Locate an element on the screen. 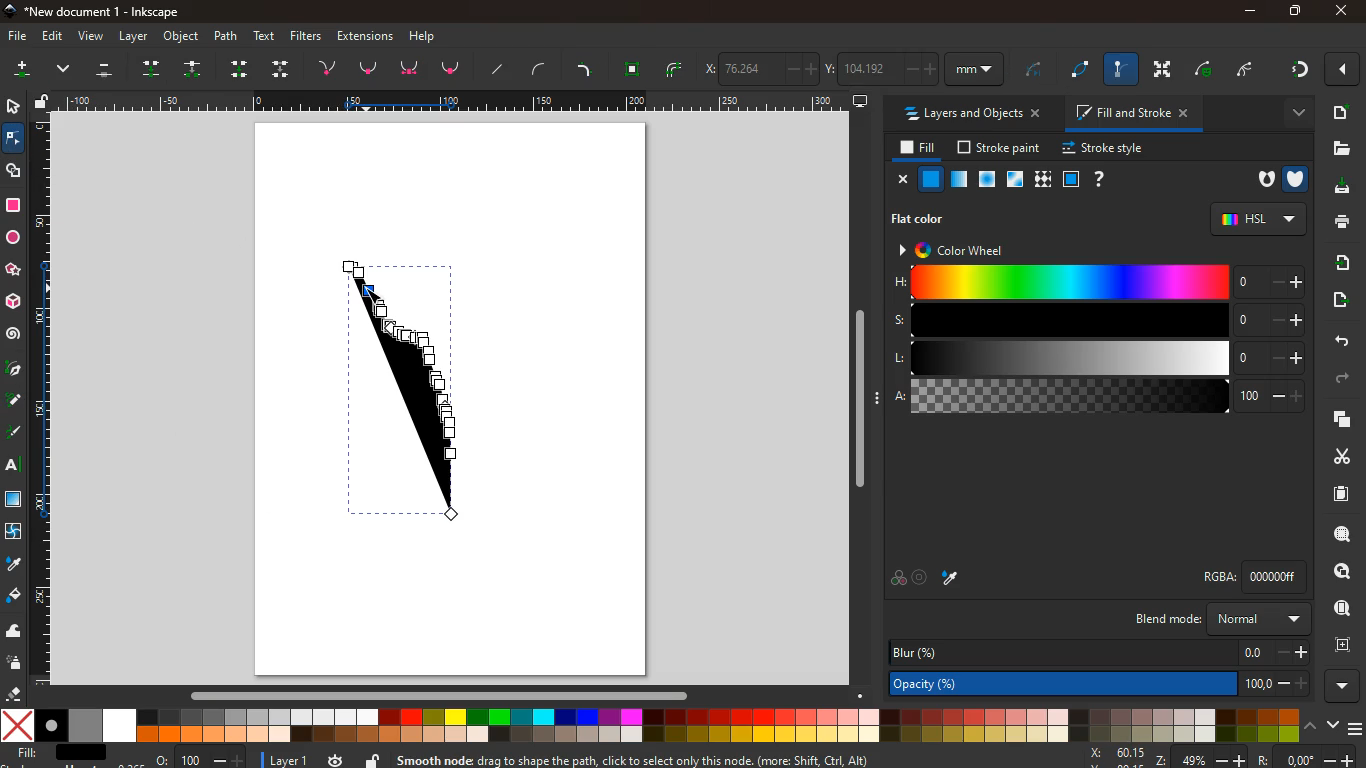  zoom is located at coordinates (201, 756).